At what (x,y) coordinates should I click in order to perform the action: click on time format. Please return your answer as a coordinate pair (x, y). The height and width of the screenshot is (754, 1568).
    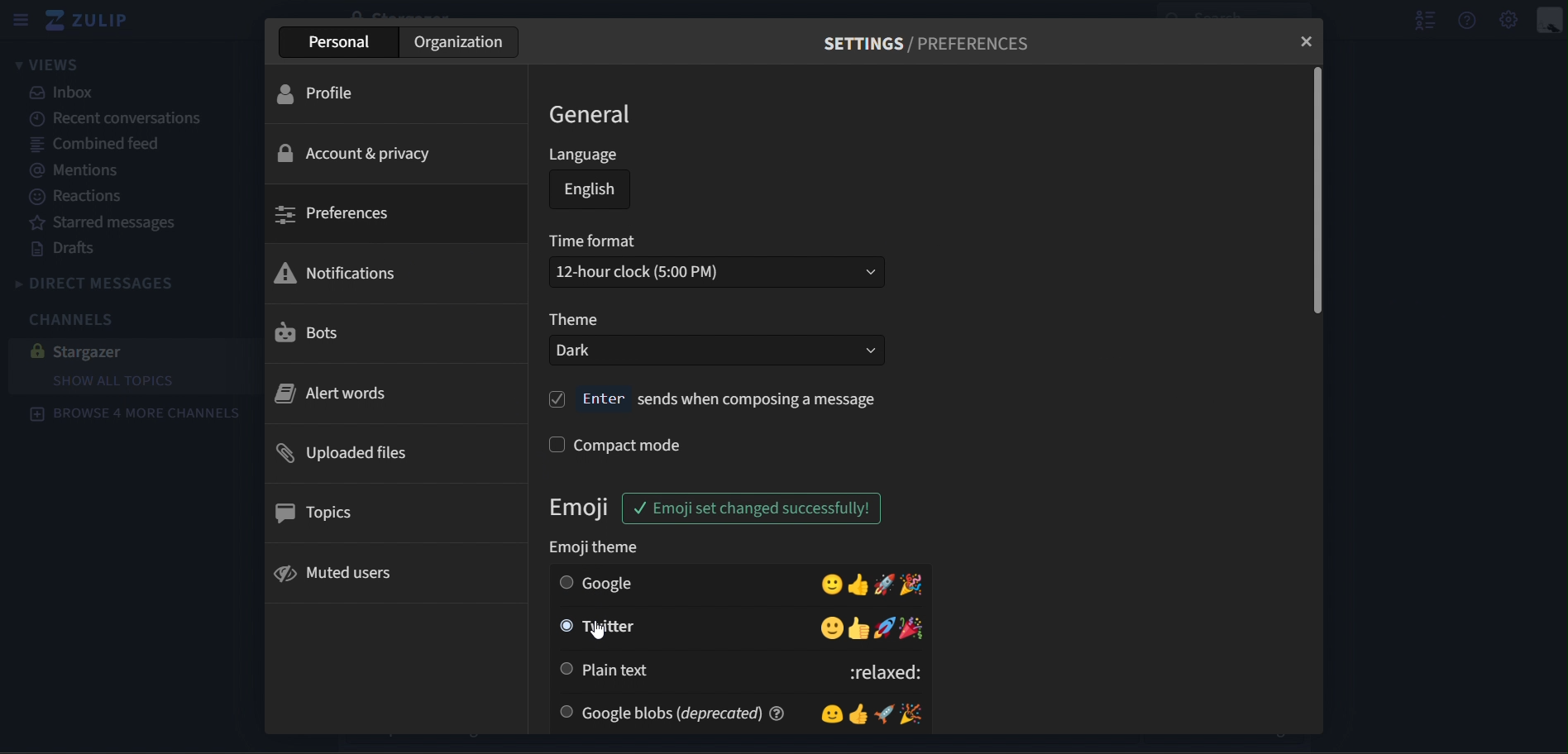
    Looking at the image, I should click on (595, 243).